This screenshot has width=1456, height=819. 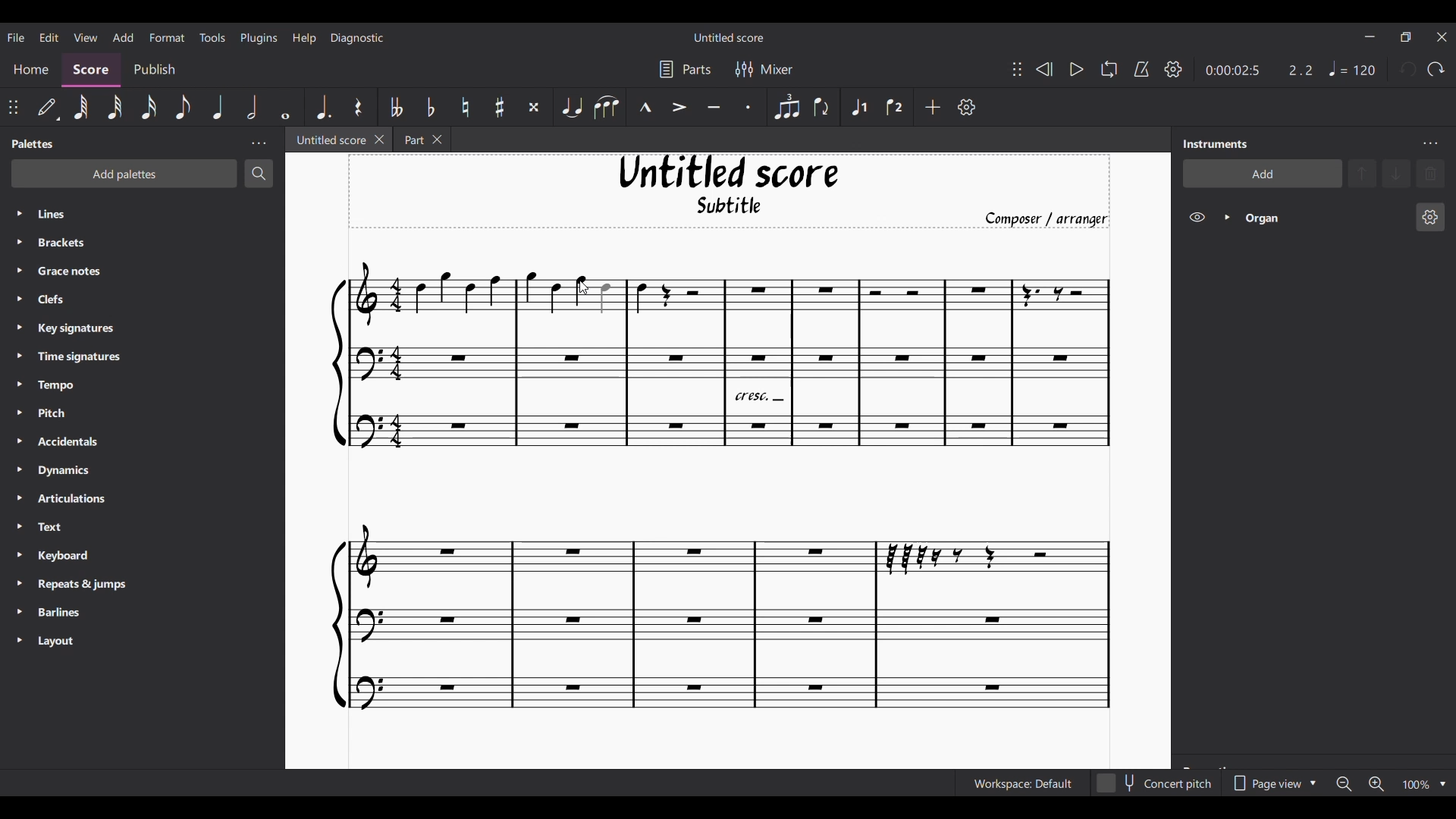 What do you see at coordinates (379, 139) in the screenshot?
I see `Close current tab` at bounding box center [379, 139].